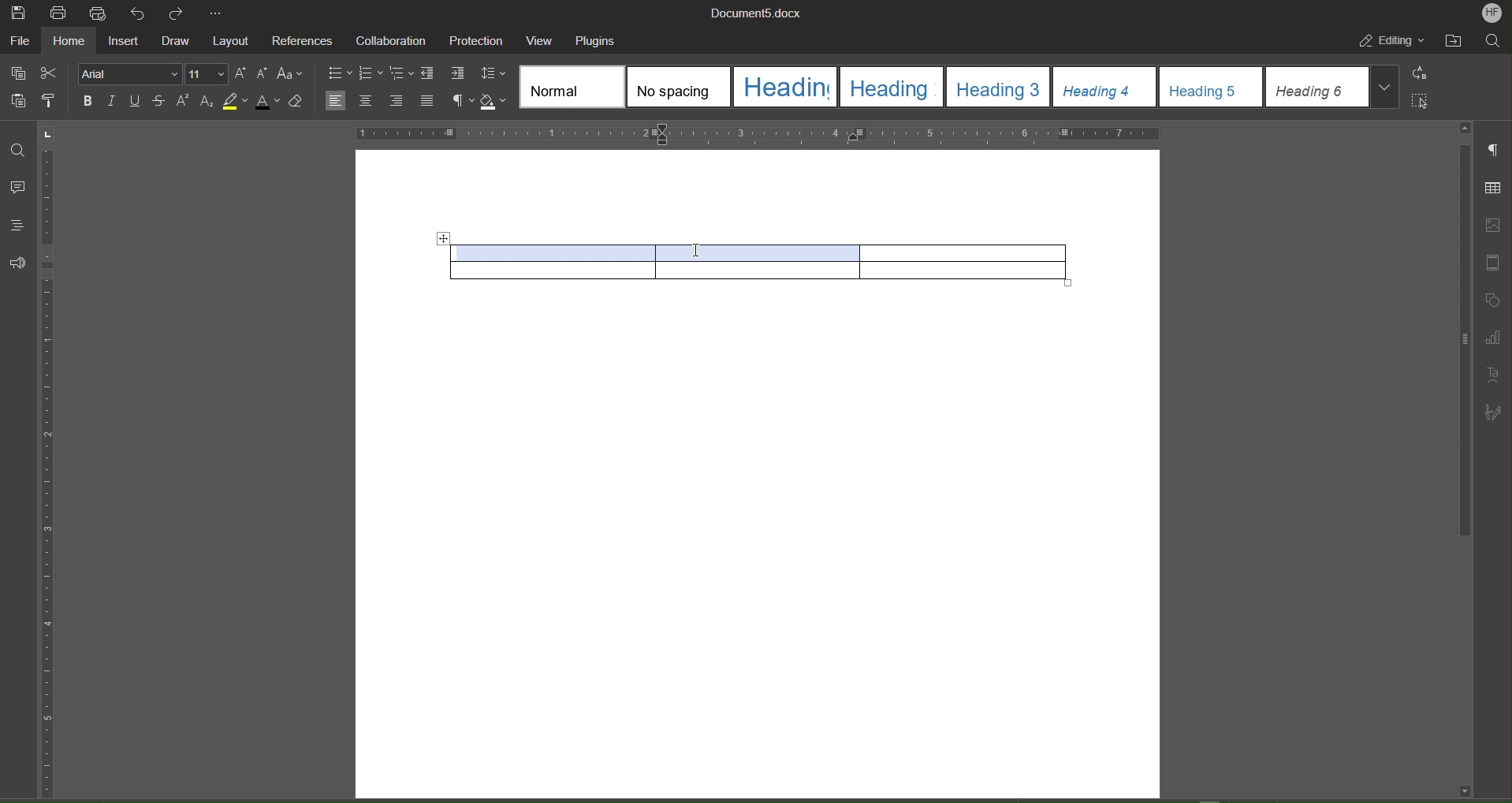 This screenshot has height=803, width=1512. I want to click on No spacing, so click(679, 87).